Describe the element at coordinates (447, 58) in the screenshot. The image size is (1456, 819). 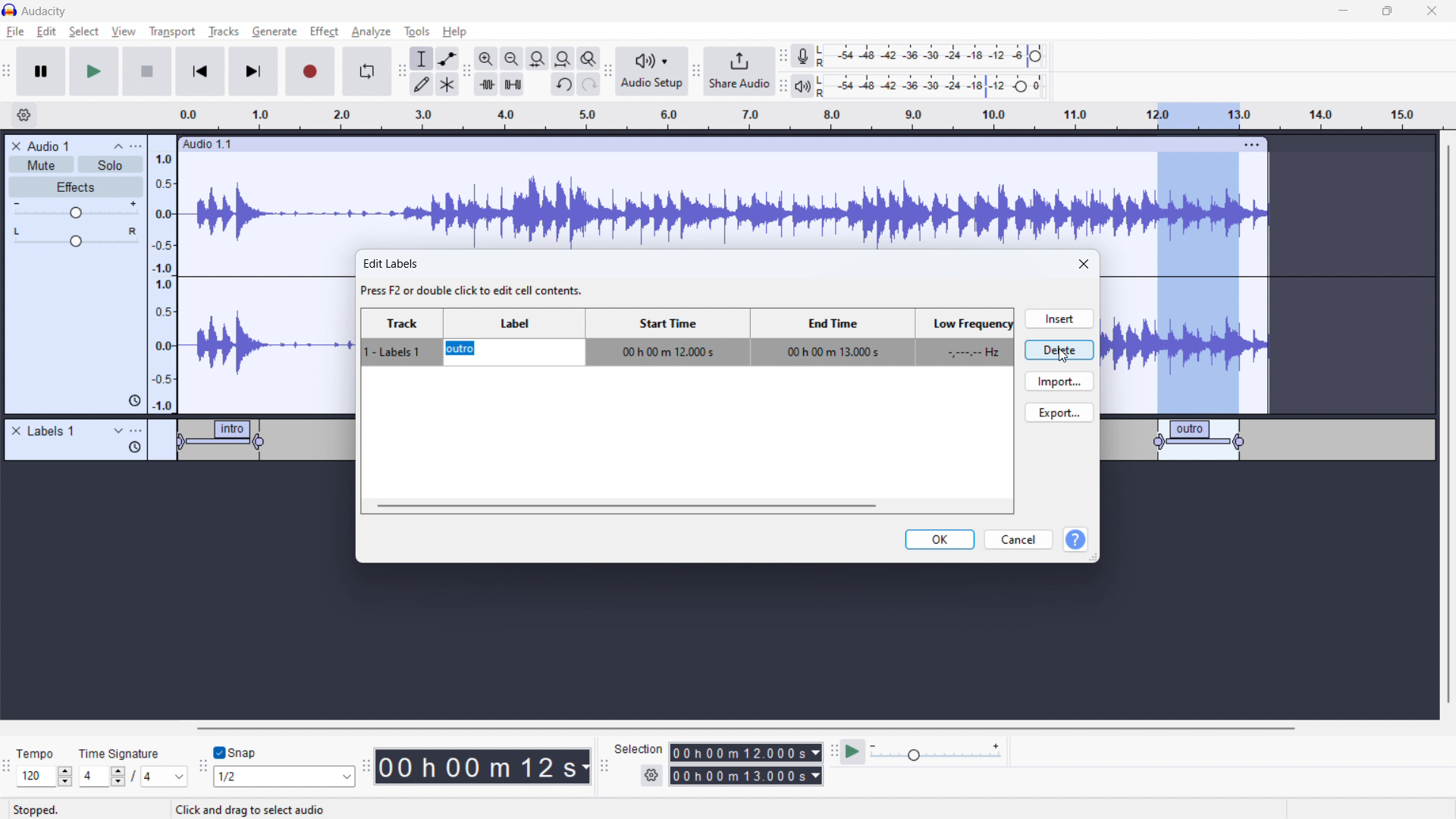
I see `envelop tool` at that location.